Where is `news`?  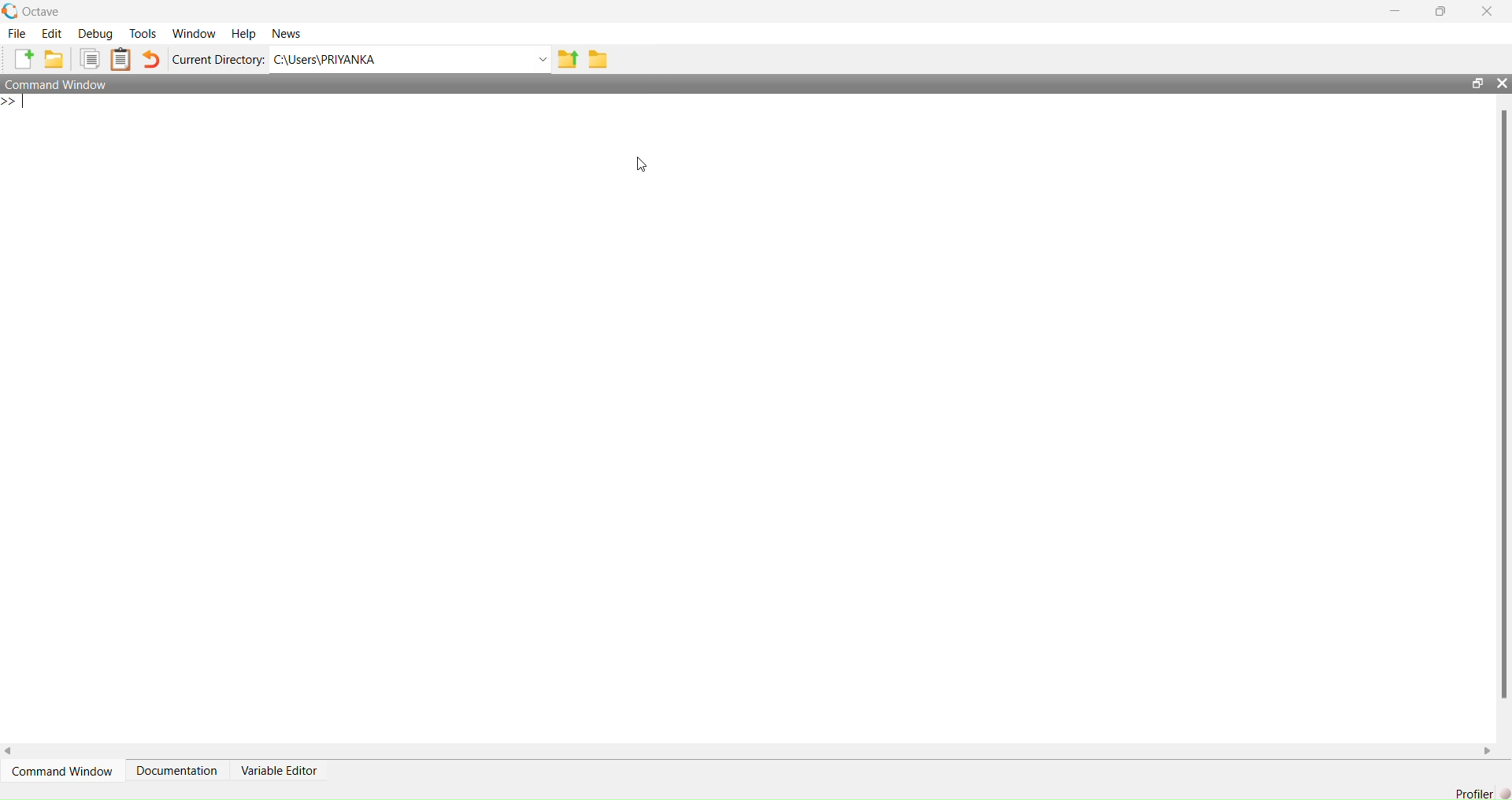
news is located at coordinates (287, 34).